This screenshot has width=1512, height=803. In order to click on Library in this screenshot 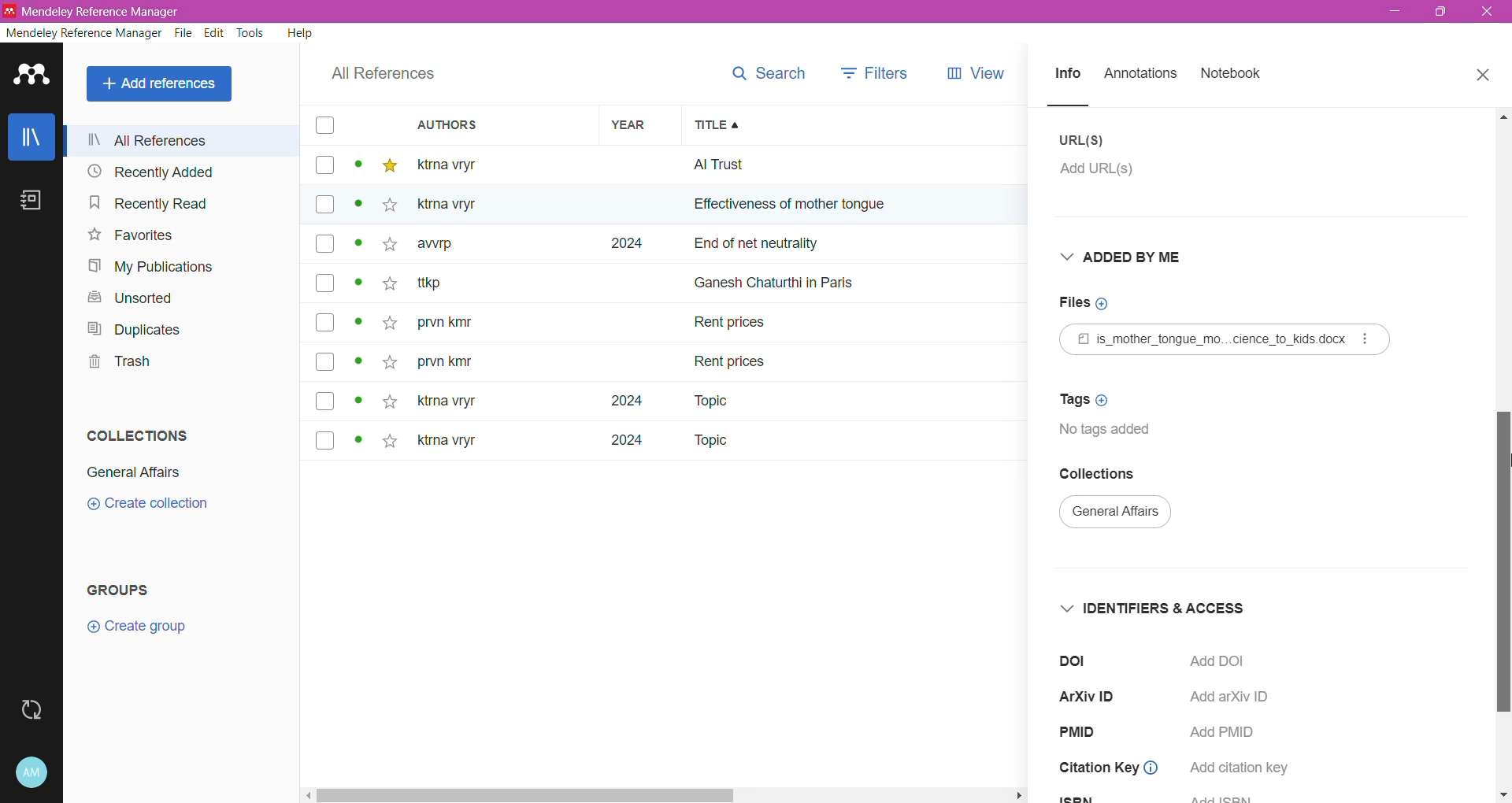, I will do `click(31, 136)`.